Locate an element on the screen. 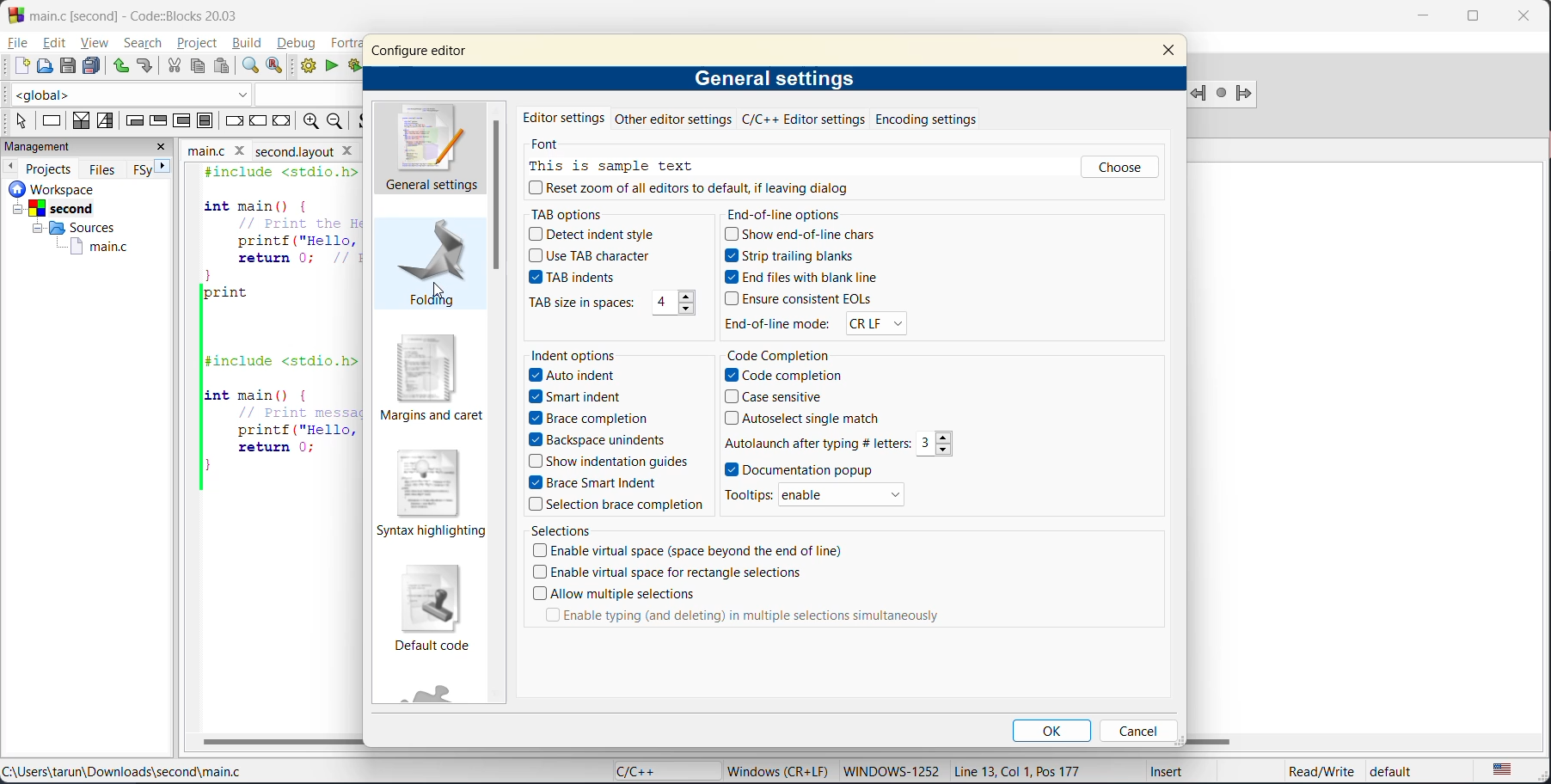 The image size is (1551, 784). windows-1252 is located at coordinates (891, 772).